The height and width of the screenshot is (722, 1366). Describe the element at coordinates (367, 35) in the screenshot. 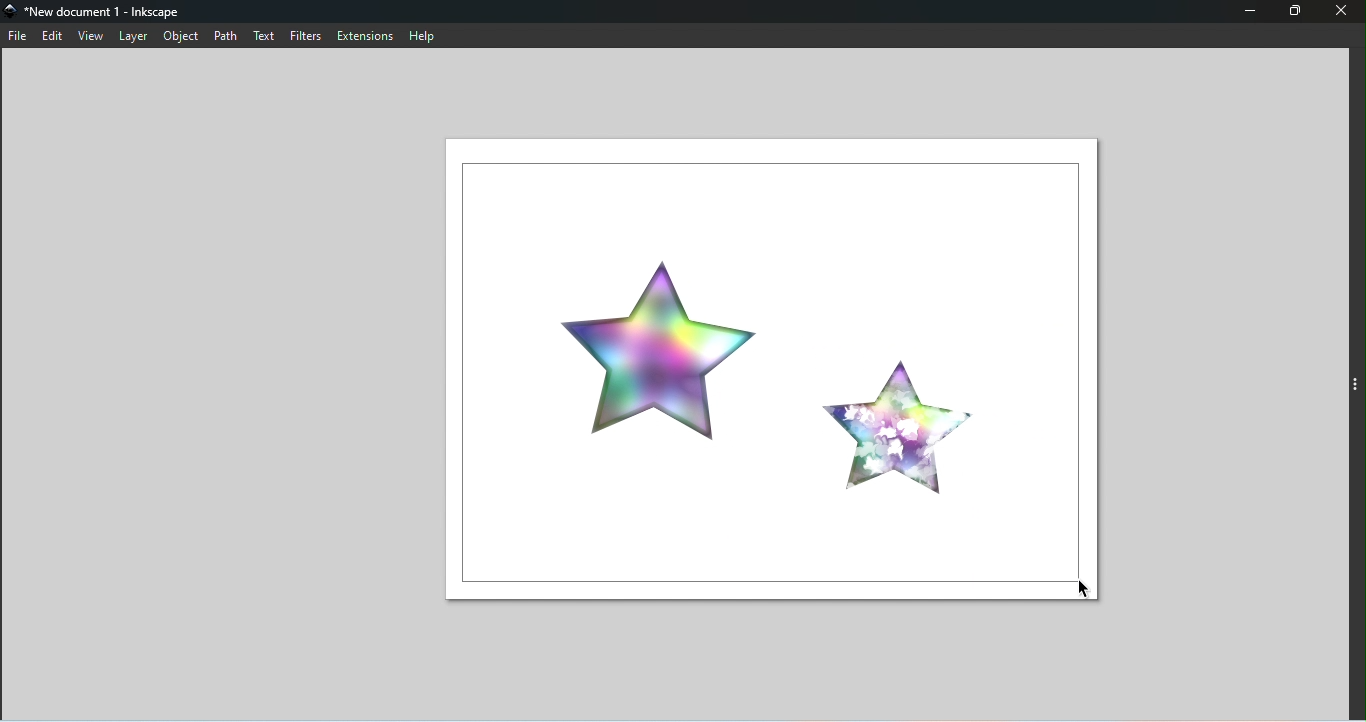

I see `Extensions` at that location.